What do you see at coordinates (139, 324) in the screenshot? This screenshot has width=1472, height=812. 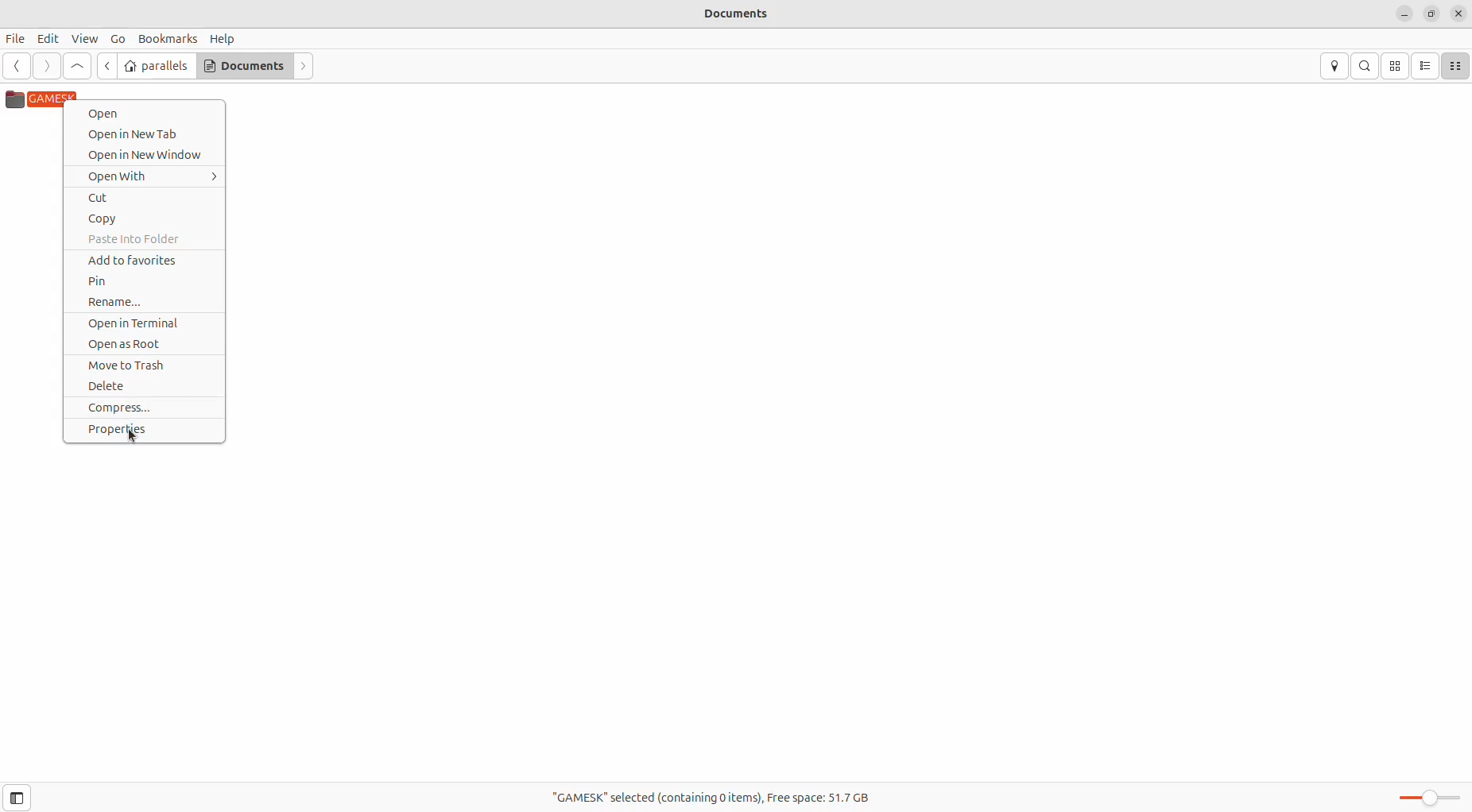 I see `open in terminal` at bounding box center [139, 324].